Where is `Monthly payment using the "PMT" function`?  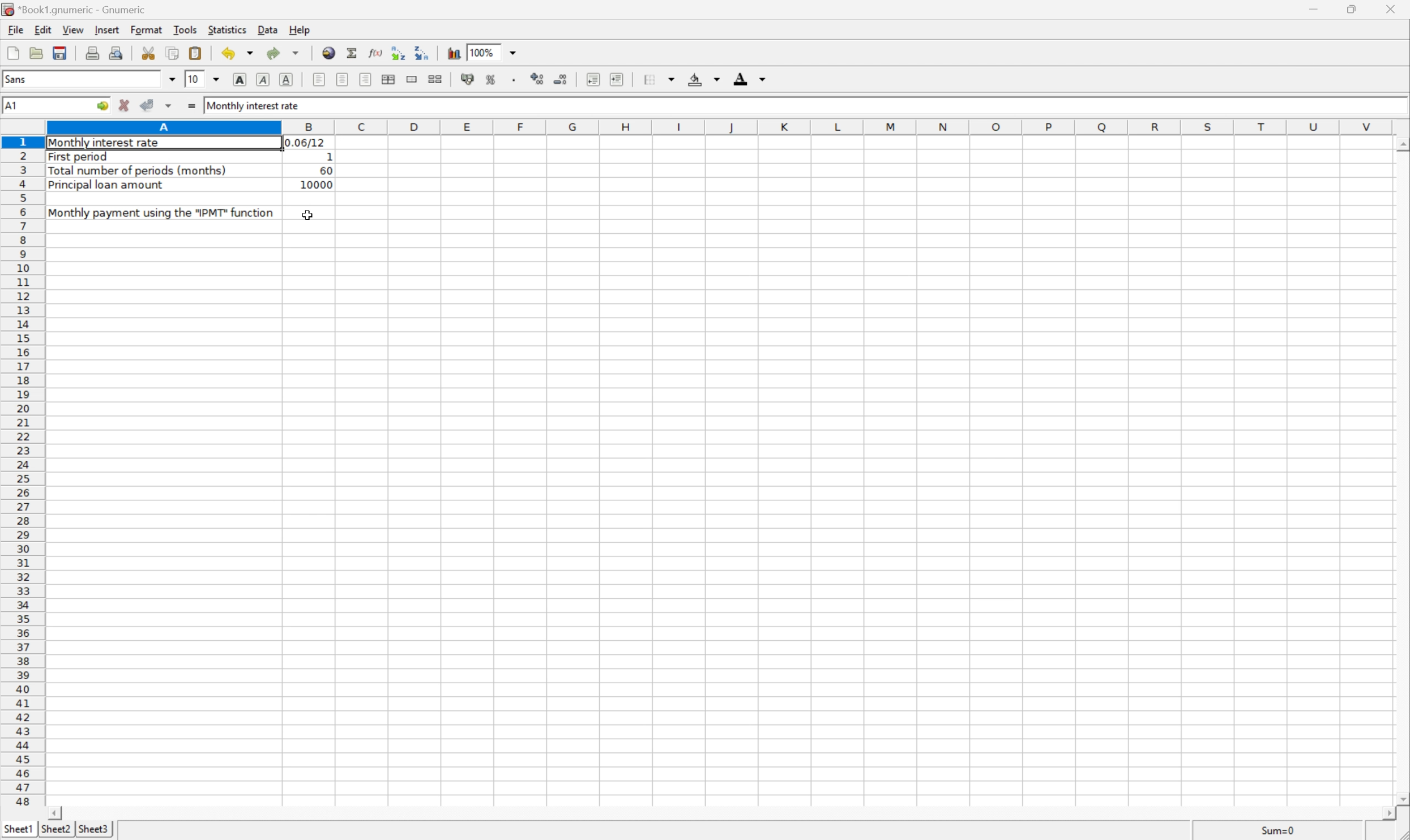
Monthly payment using the "PMT" function is located at coordinates (161, 212).